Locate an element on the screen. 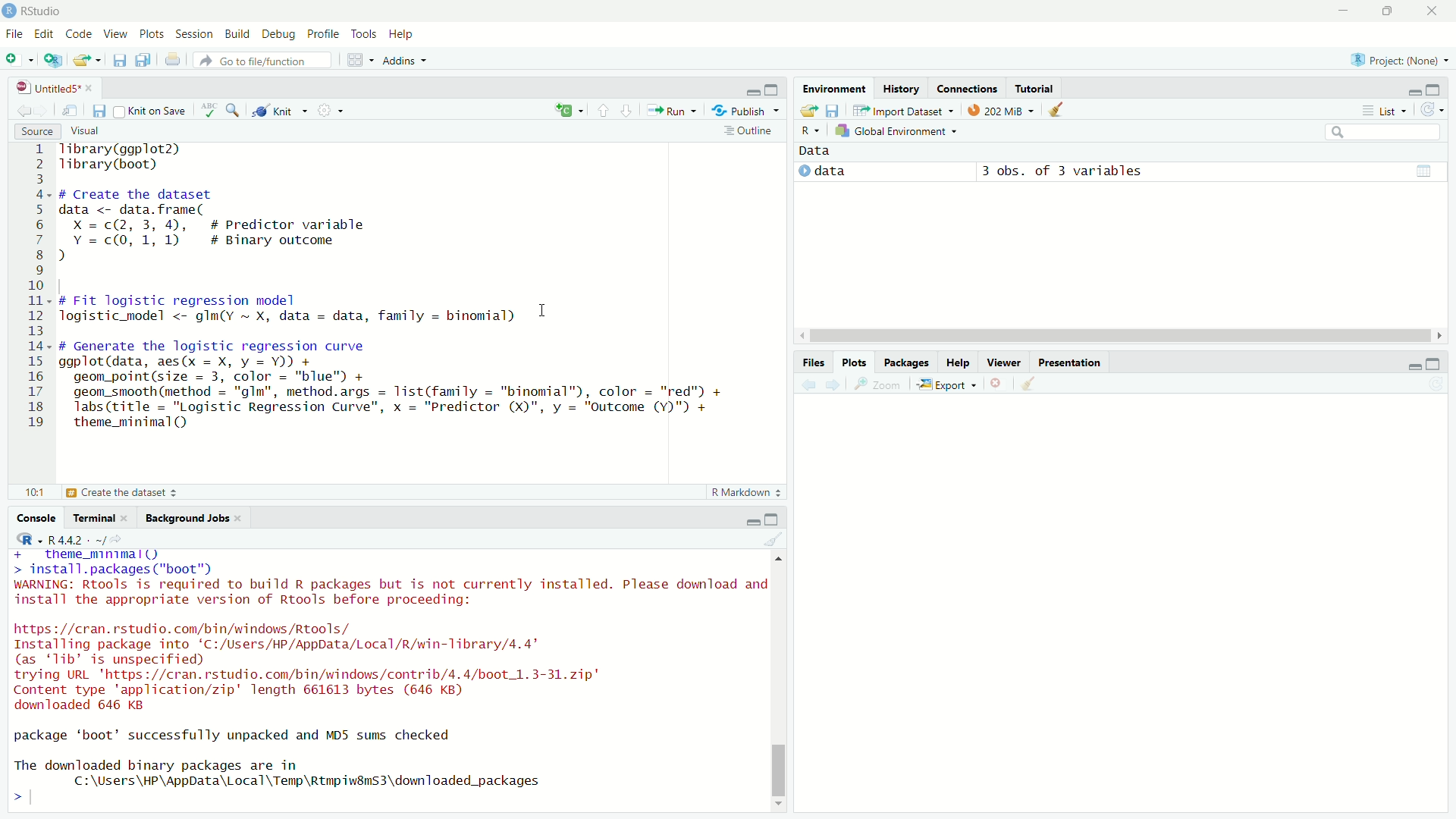 This screenshot has width=1456, height=819. Save current document is located at coordinates (99, 111).